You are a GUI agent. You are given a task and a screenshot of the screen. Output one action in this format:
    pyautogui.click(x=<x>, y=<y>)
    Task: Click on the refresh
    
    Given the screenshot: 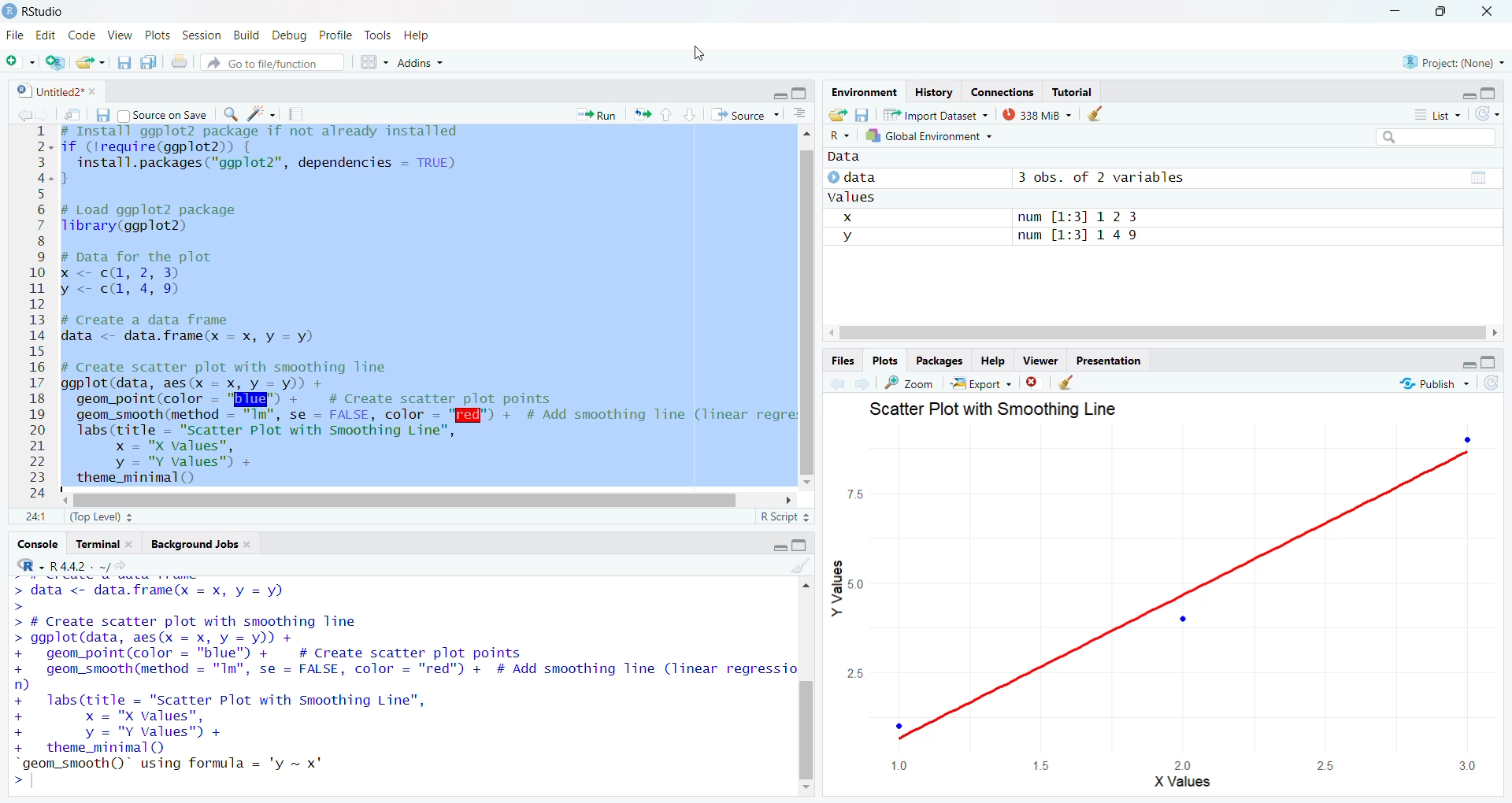 What is the action you would take?
    pyautogui.click(x=1490, y=113)
    